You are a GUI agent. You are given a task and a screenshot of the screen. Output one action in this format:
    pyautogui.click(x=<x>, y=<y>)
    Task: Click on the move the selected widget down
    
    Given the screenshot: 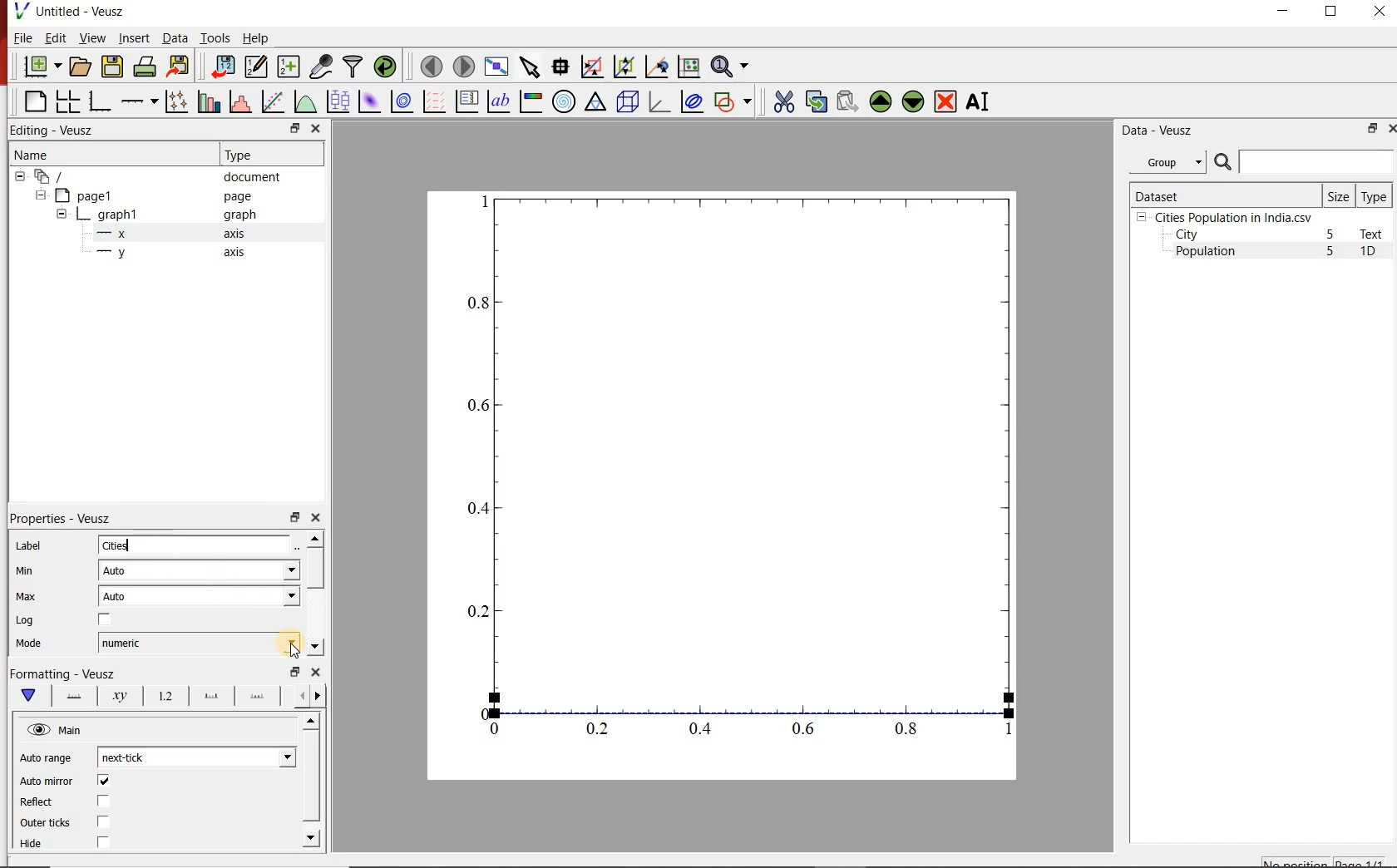 What is the action you would take?
    pyautogui.click(x=913, y=101)
    